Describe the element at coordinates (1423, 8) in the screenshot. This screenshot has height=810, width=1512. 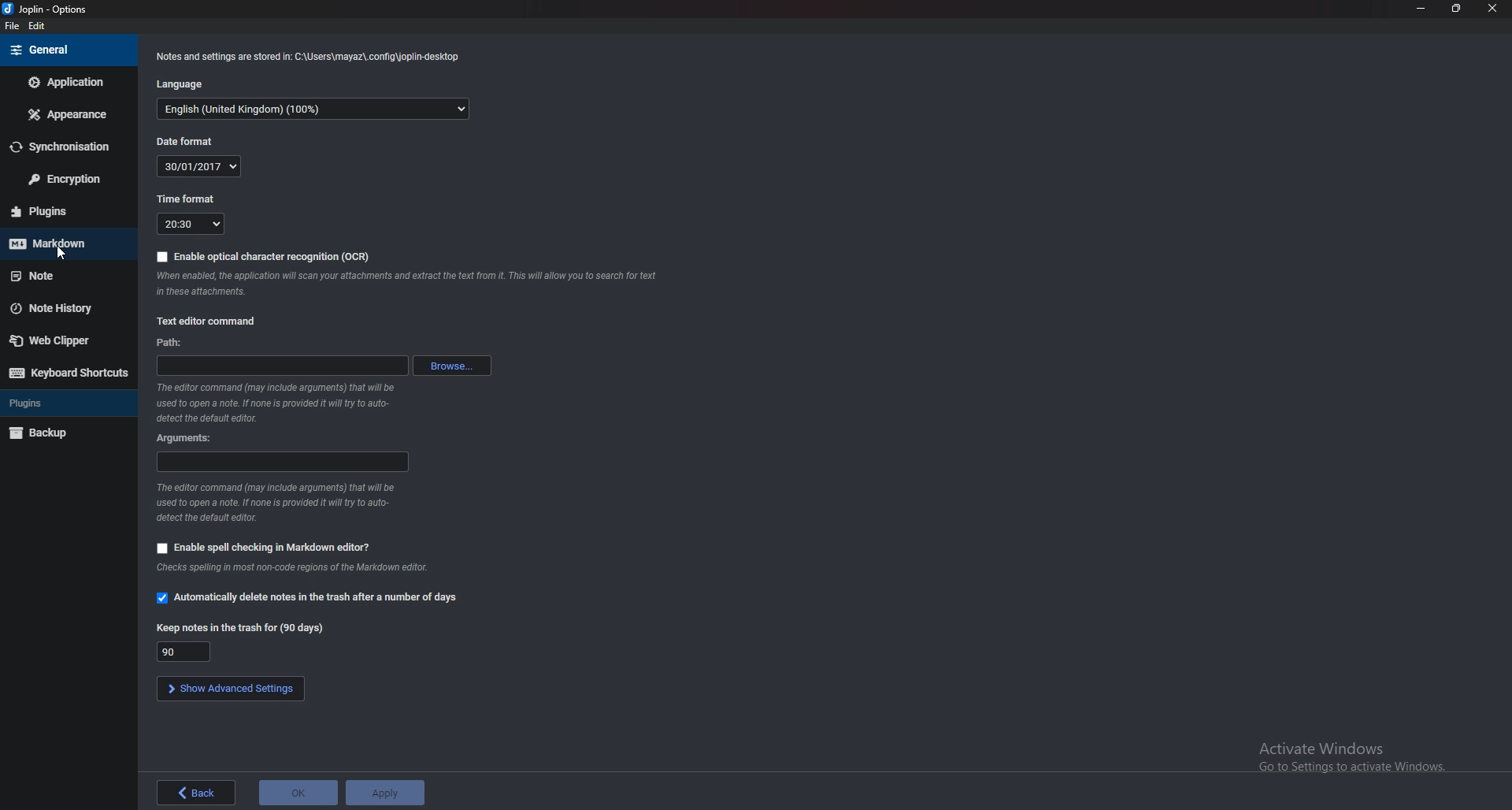
I see `minimize` at that location.